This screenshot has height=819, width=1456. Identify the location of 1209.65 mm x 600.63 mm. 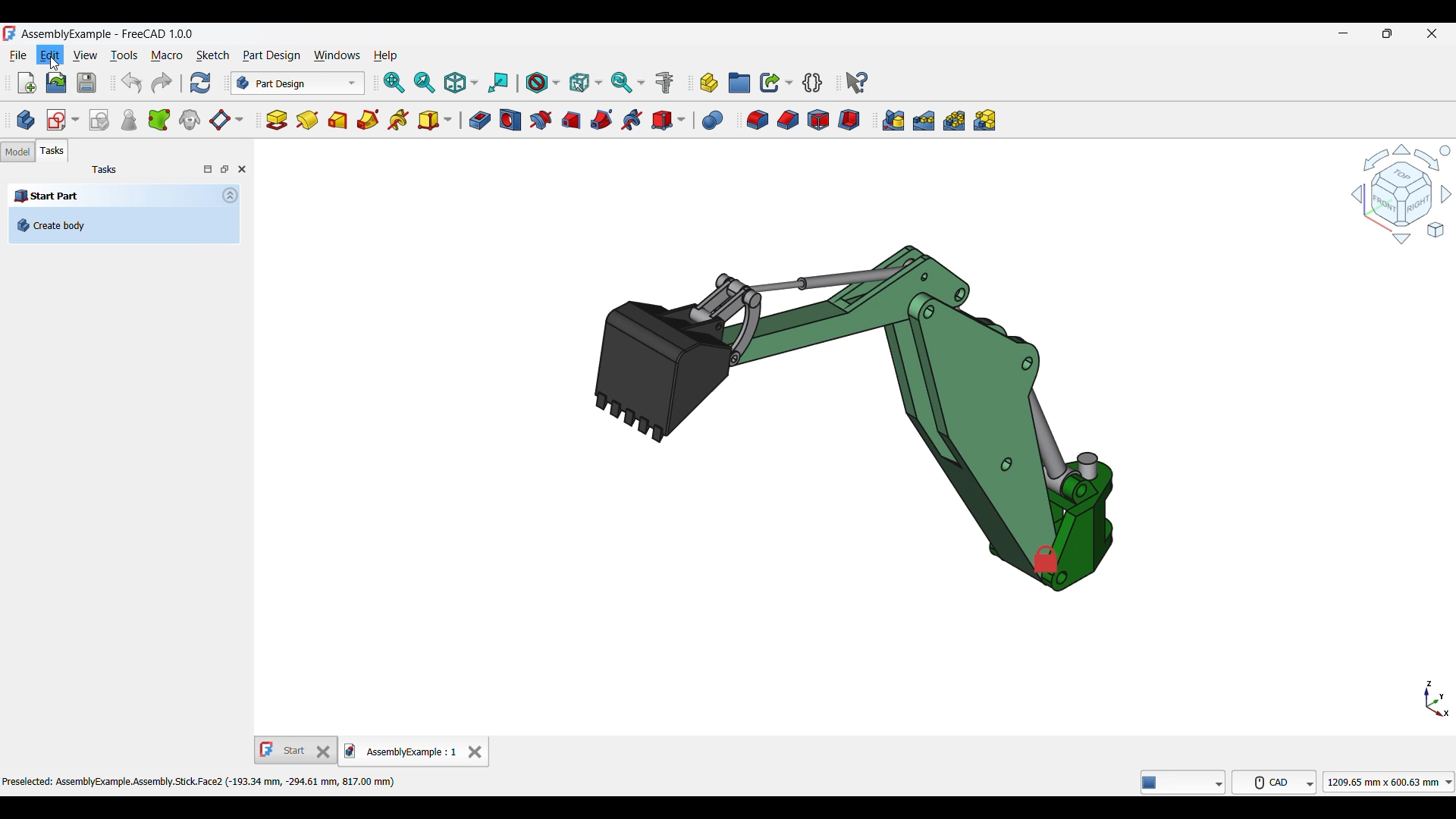
(1389, 782).